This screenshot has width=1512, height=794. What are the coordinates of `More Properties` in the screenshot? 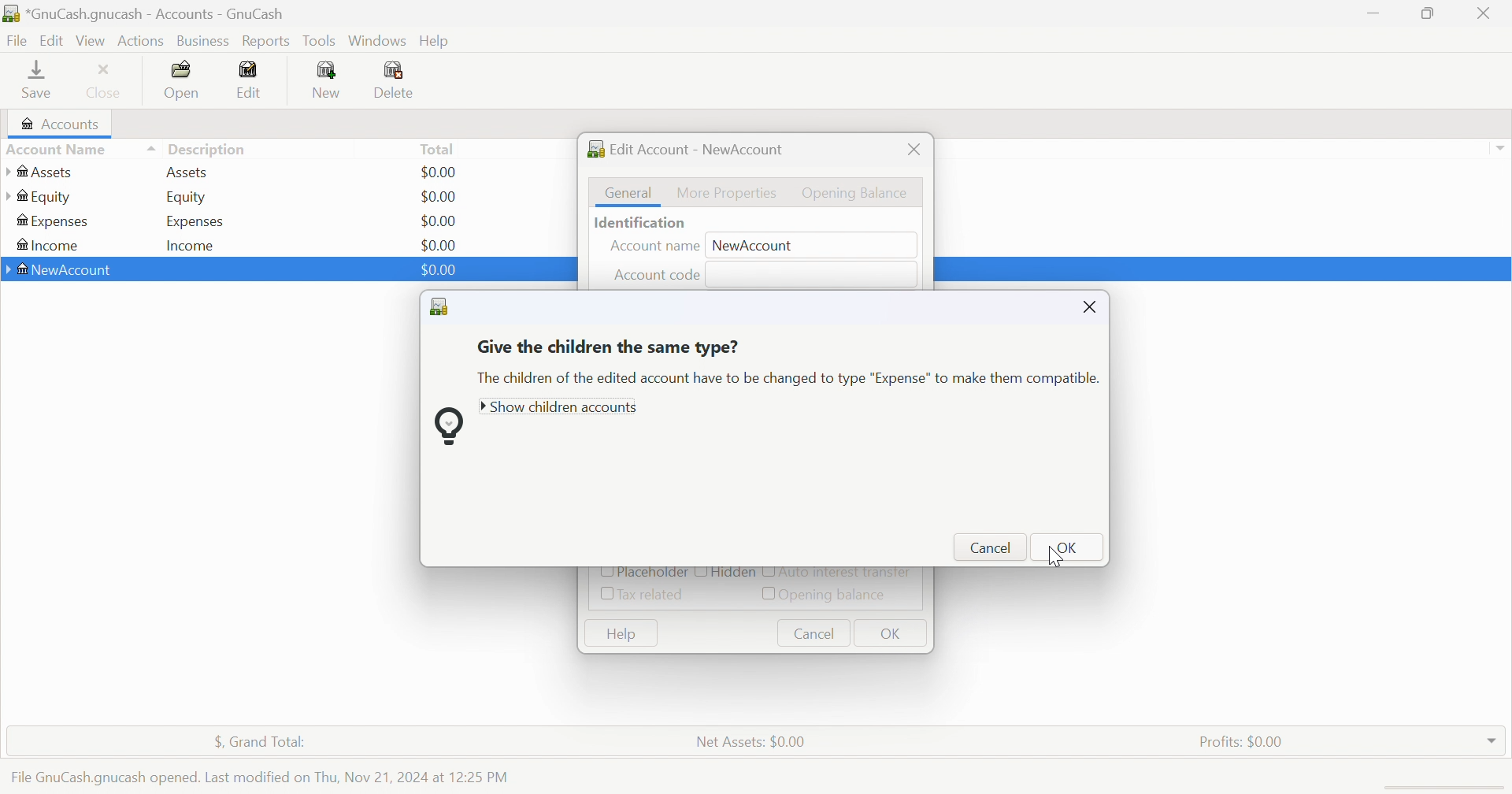 It's located at (727, 191).